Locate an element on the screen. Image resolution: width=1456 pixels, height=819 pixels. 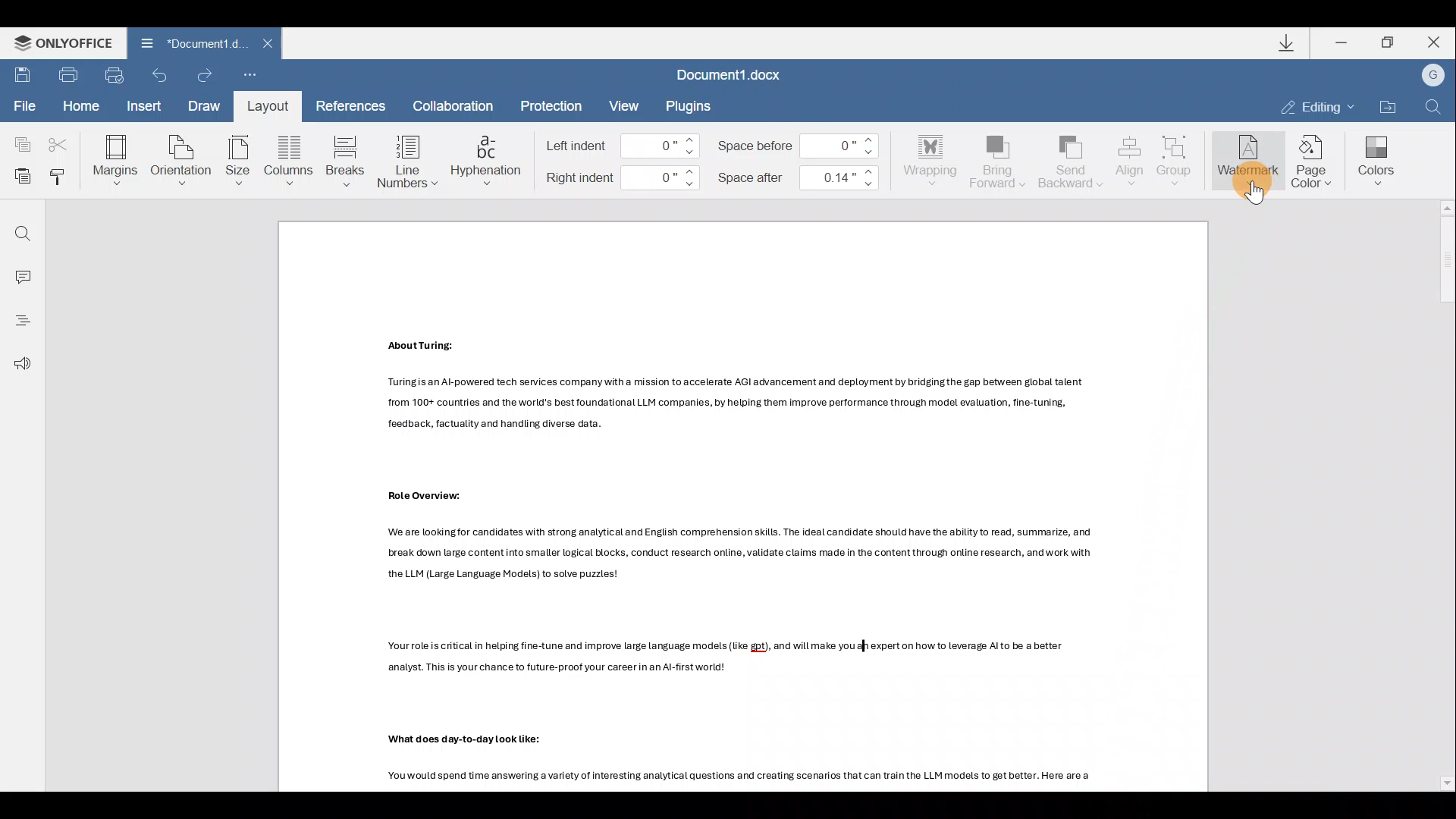
Document1 is located at coordinates (187, 42).